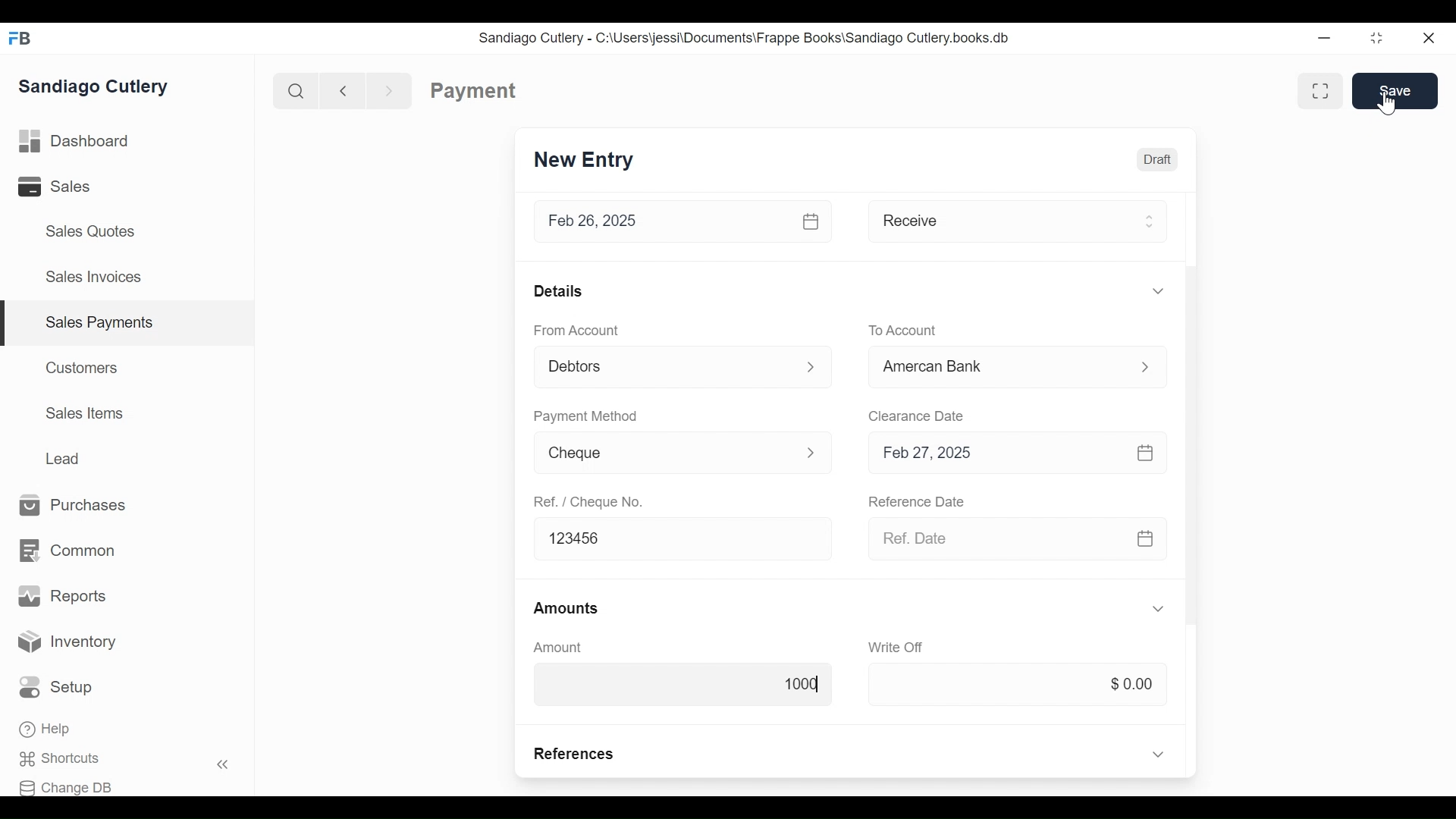 The width and height of the screenshot is (1456, 819). What do you see at coordinates (996, 452) in the screenshot?
I see `Feb 27, 2025` at bounding box center [996, 452].